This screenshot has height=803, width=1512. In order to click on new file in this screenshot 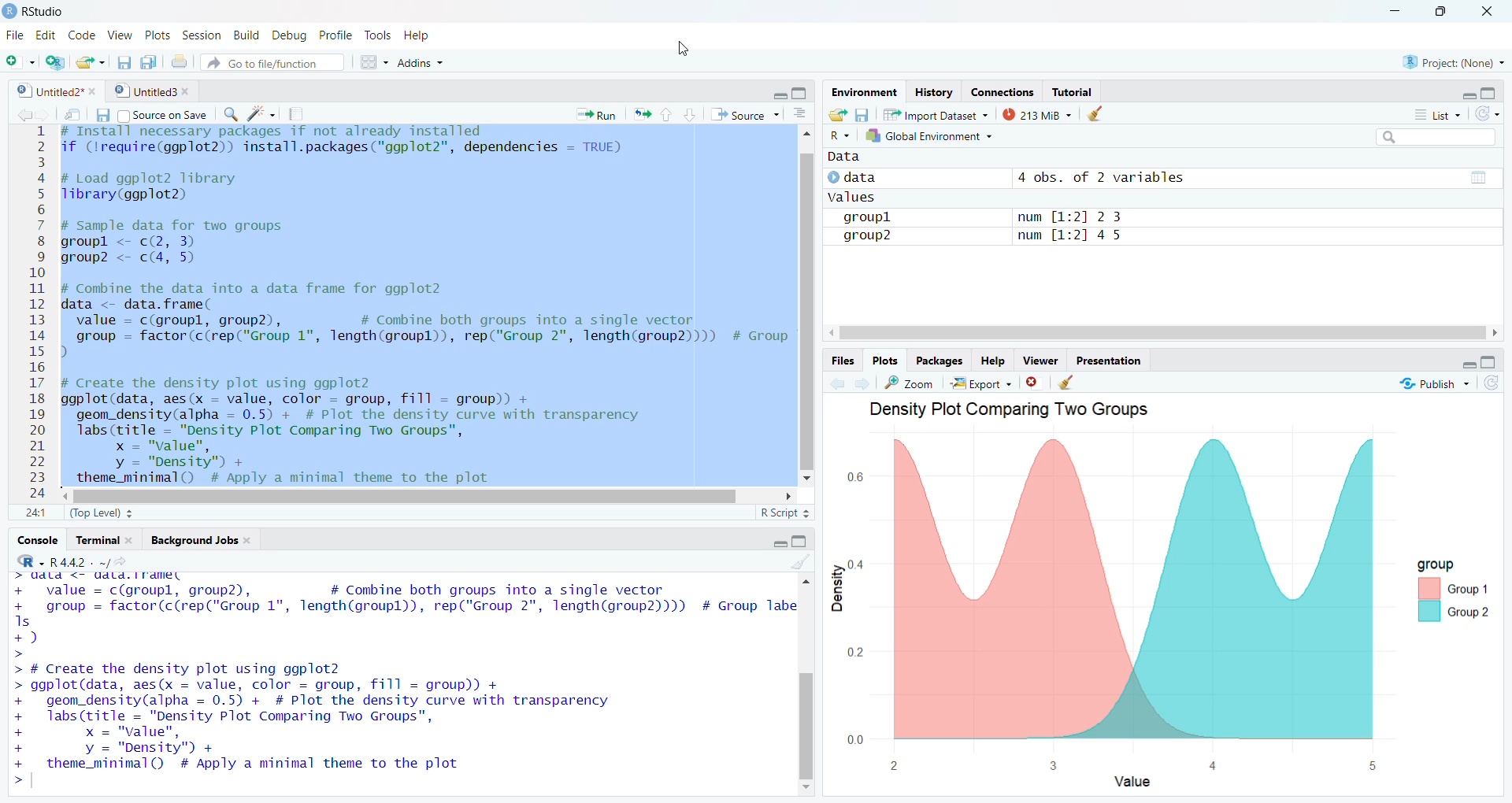, I will do `click(19, 60)`.